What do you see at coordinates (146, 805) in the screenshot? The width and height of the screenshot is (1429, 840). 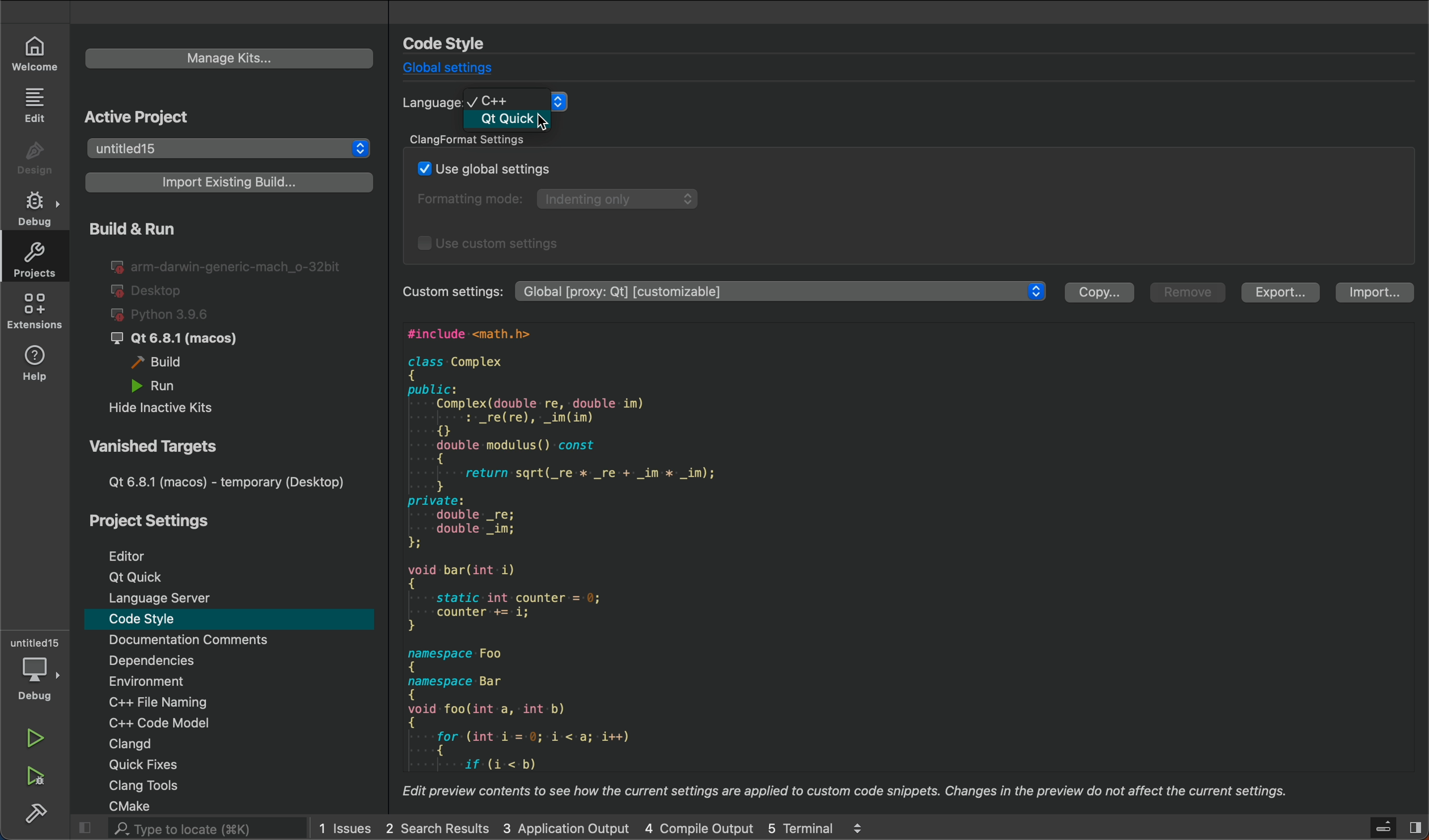 I see `cmake` at bounding box center [146, 805].